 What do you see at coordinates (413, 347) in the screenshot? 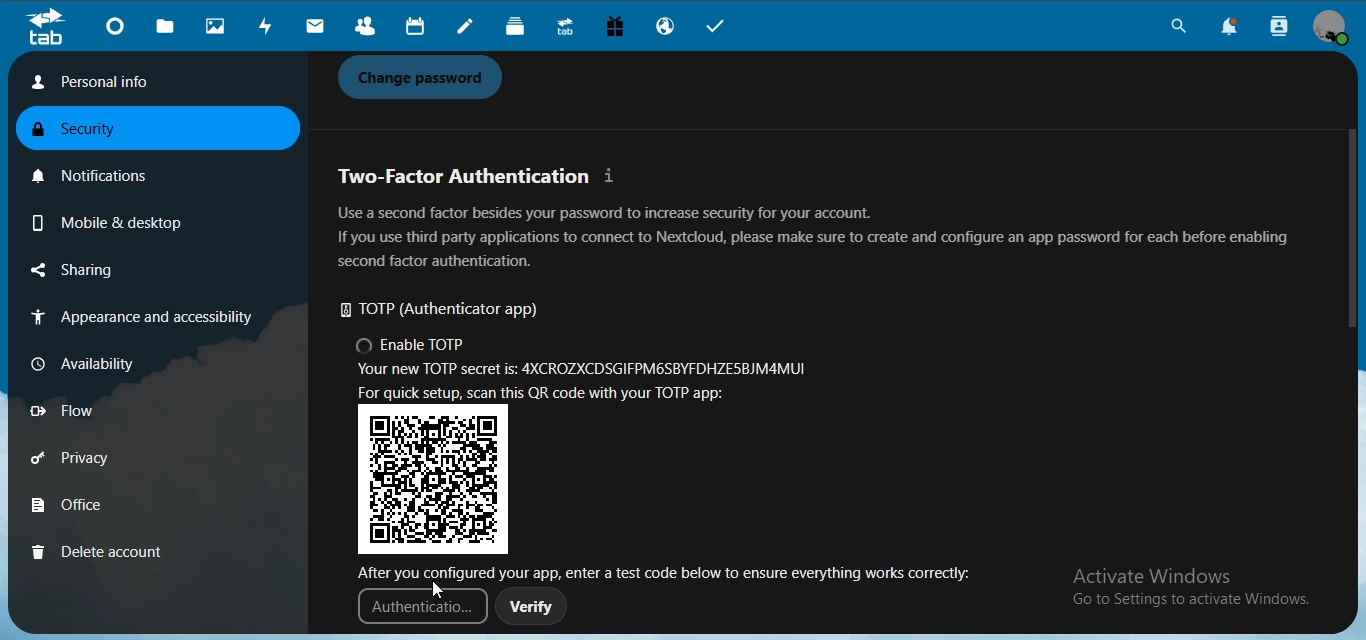
I see `enable TOTP` at bounding box center [413, 347].